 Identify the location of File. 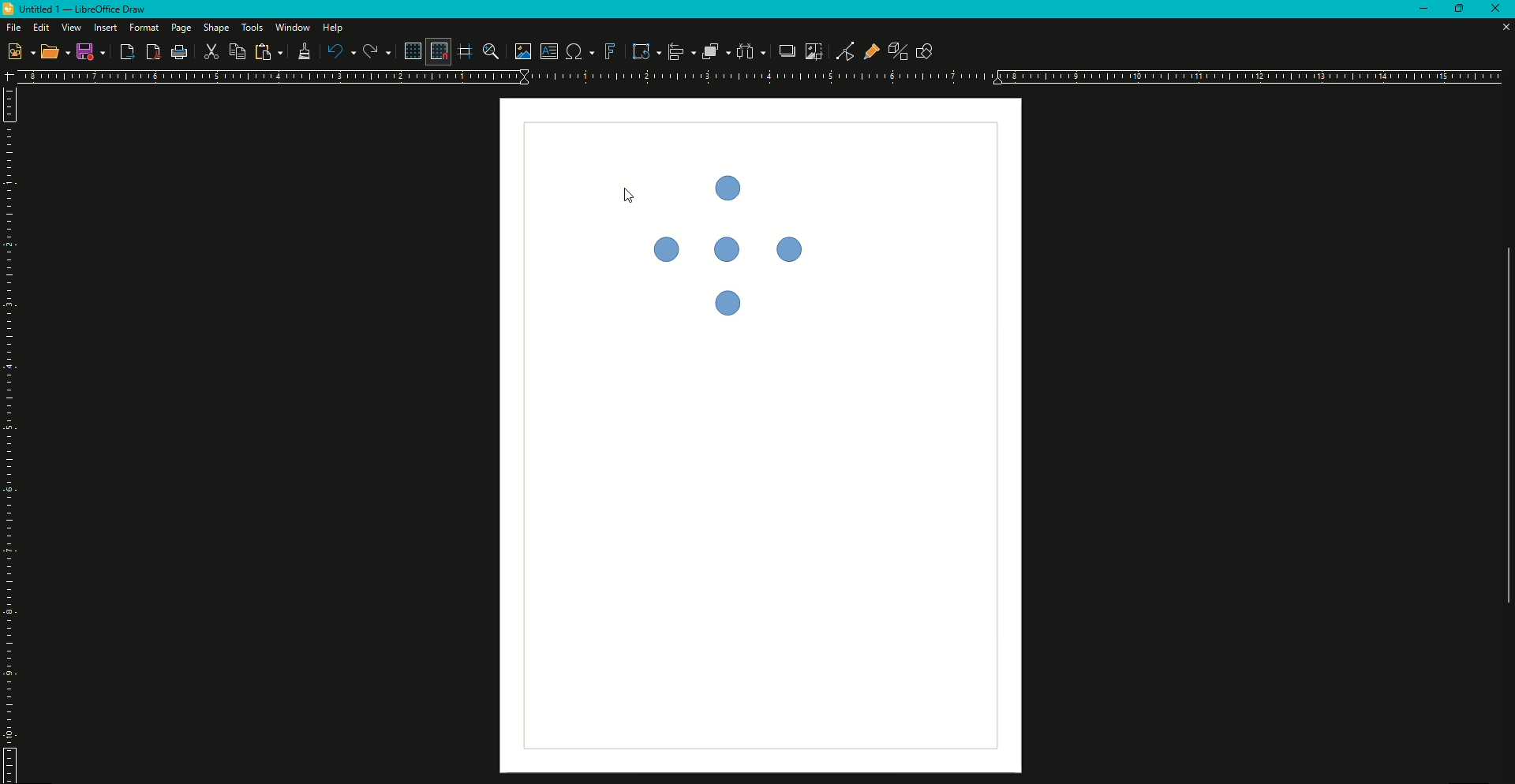
(13, 27).